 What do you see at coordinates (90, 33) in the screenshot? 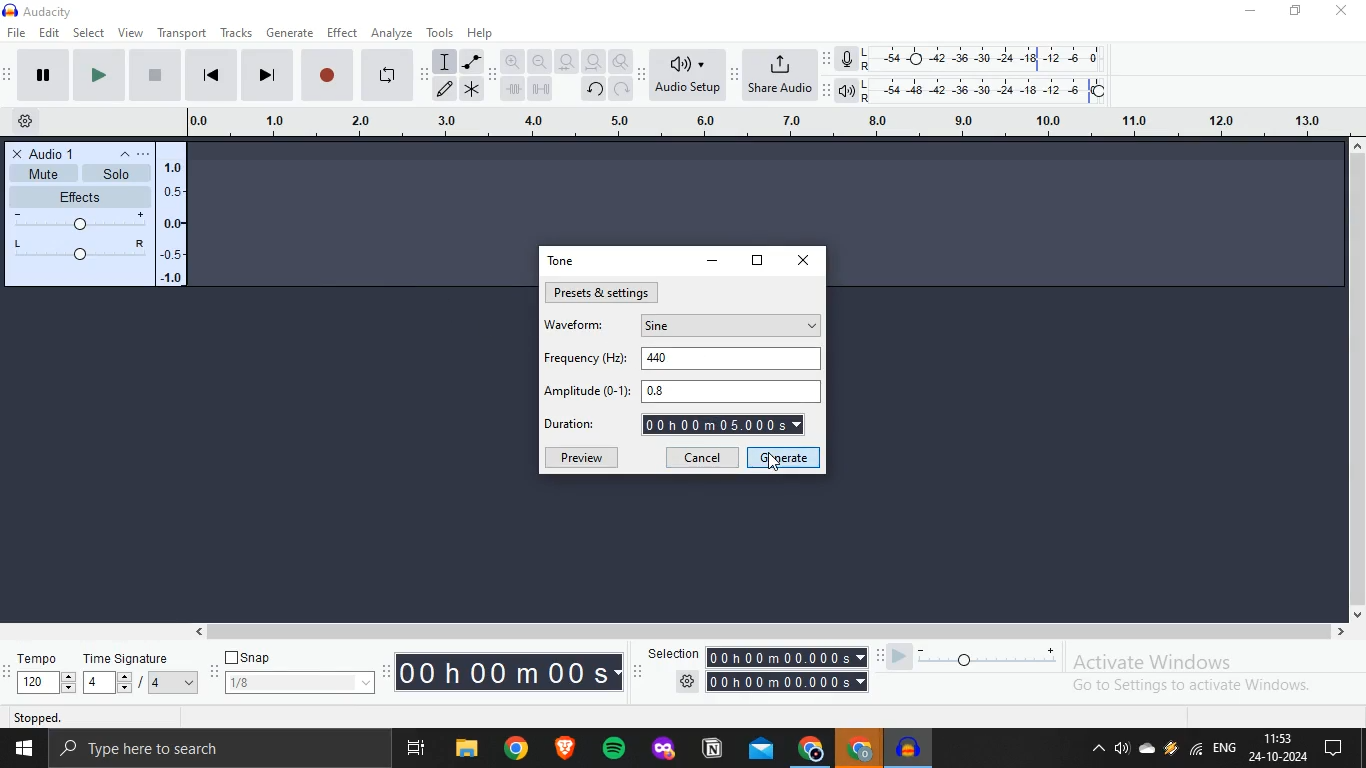
I see `Select` at bounding box center [90, 33].